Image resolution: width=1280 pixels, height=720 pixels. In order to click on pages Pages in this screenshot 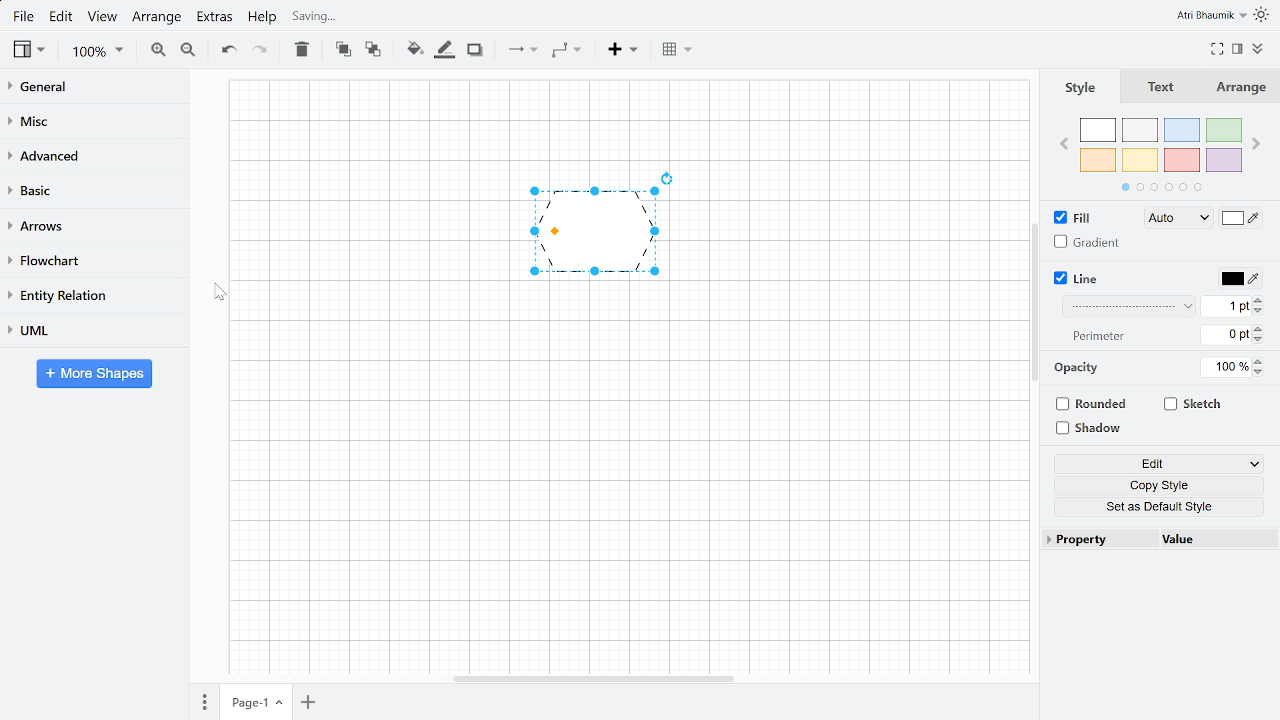, I will do `click(204, 701)`.